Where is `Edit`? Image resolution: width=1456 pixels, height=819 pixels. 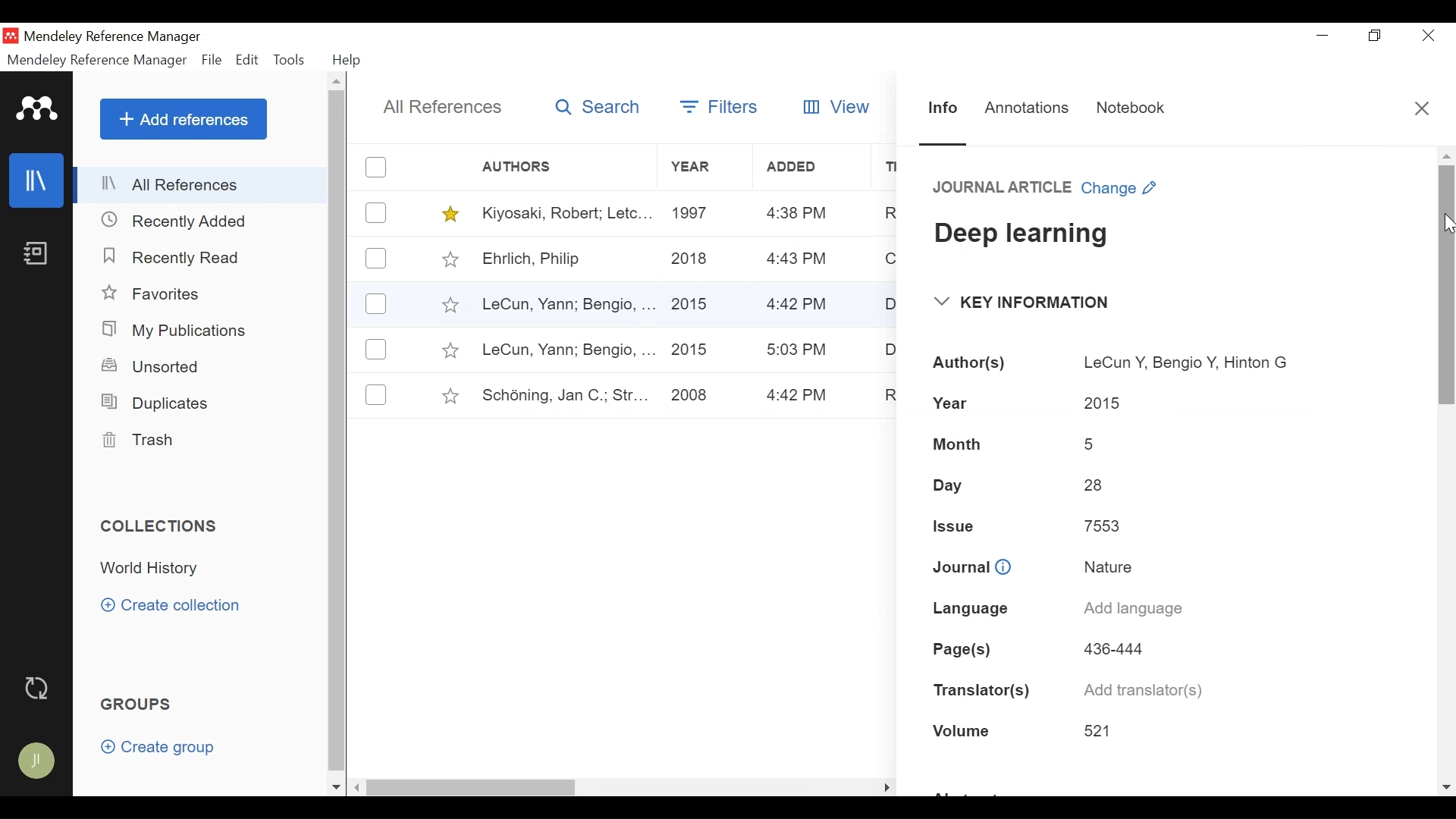
Edit is located at coordinates (248, 60).